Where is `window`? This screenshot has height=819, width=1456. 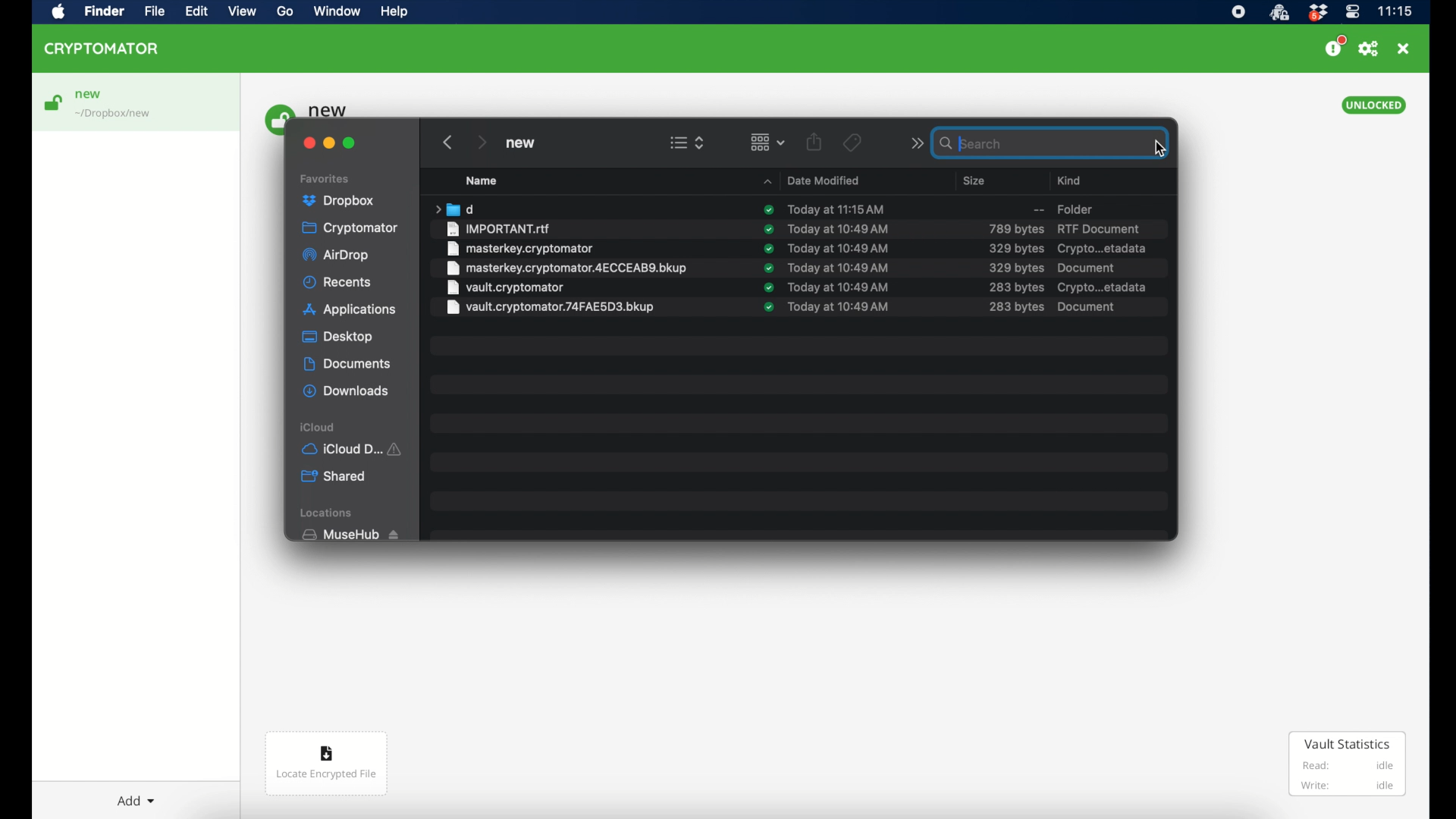
window is located at coordinates (337, 11).